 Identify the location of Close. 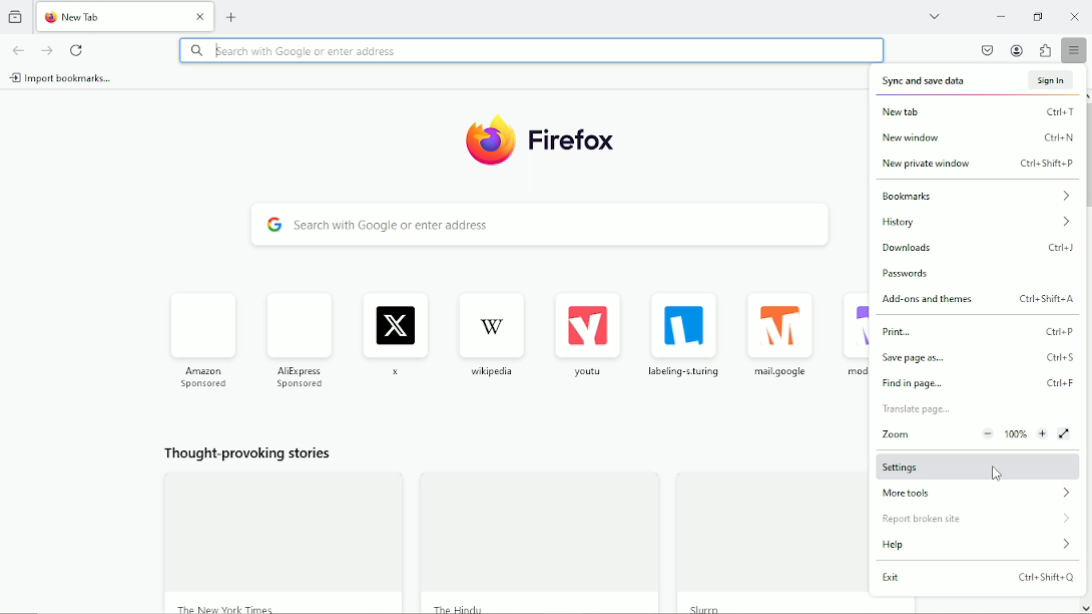
(1074, 14).